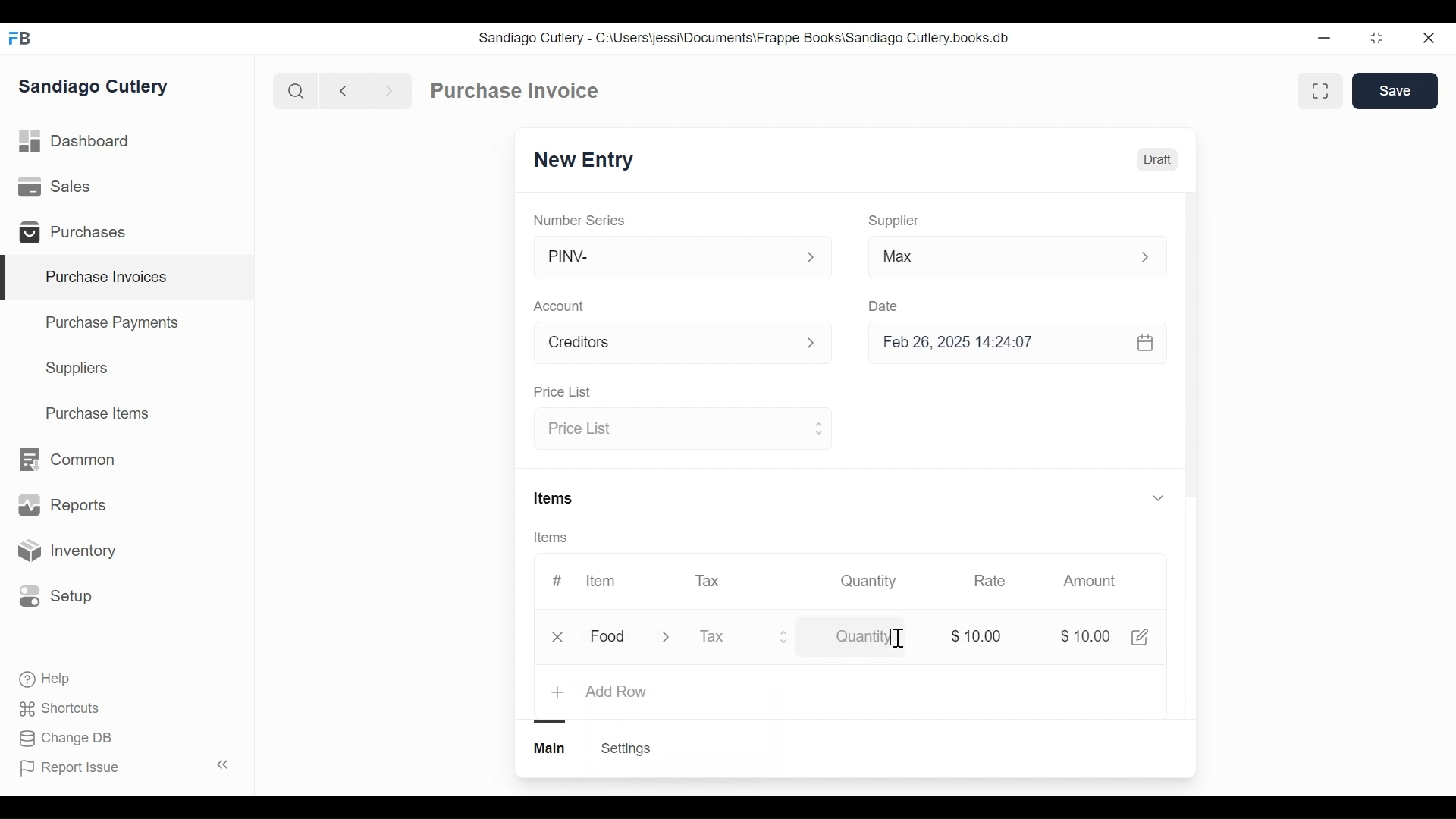  I want to click on Report Issue, so click(124, 767).